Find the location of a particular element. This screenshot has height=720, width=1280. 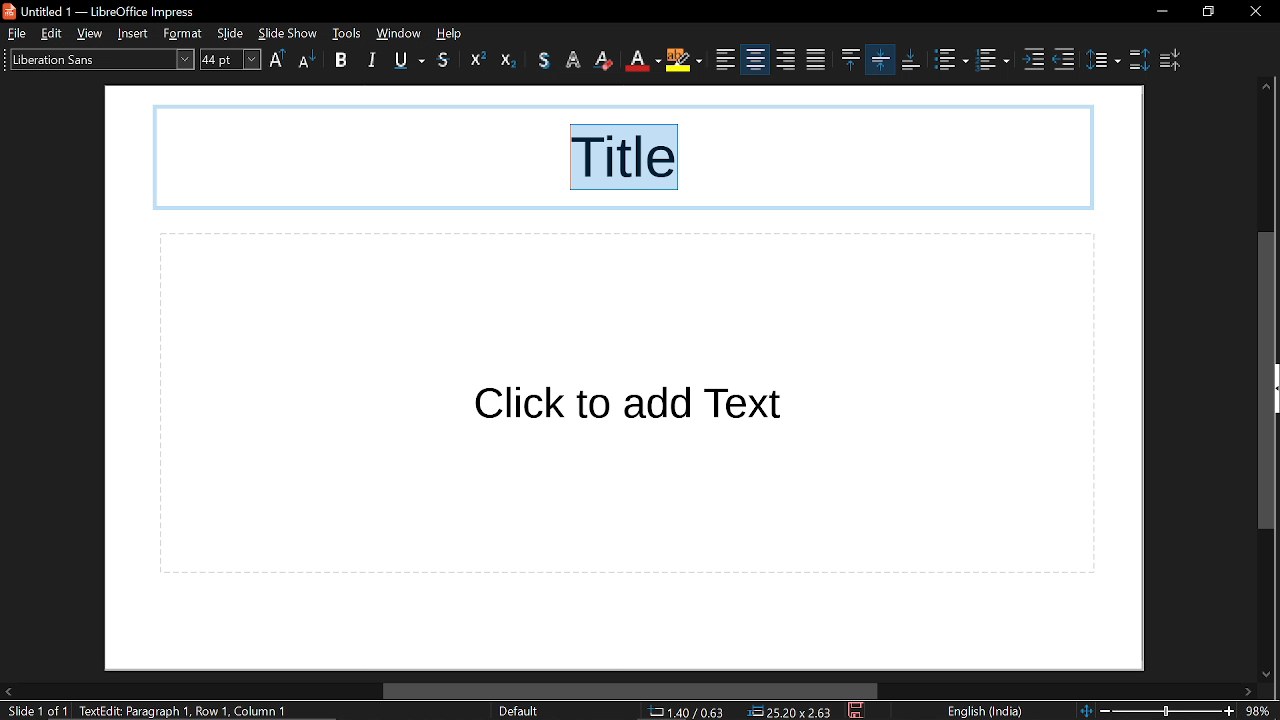

increase indent is located at coordinates (1036, 60).